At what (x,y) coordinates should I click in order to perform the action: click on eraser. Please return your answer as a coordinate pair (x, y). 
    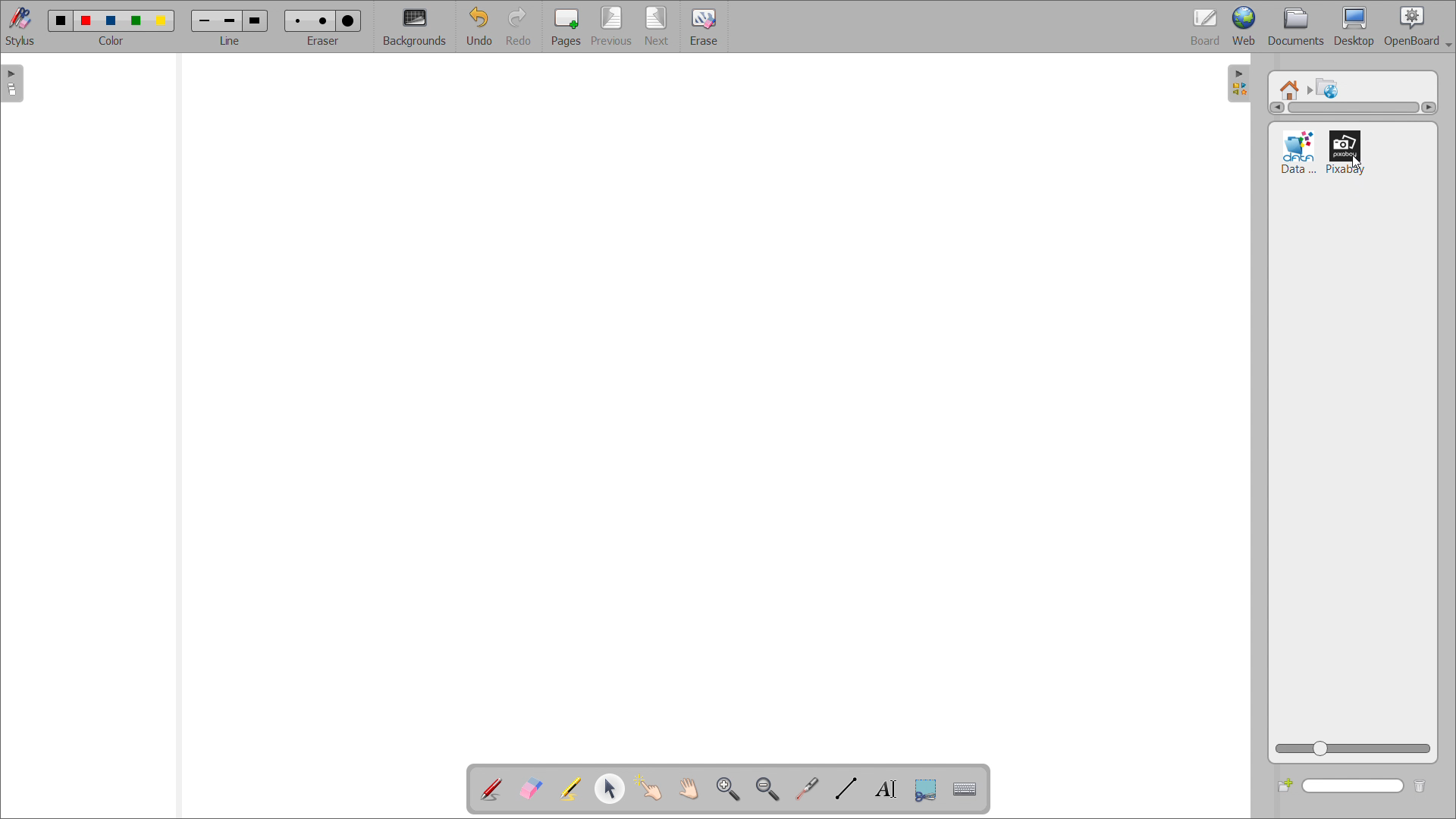
    Looking at the image, I should click on (325, 39).